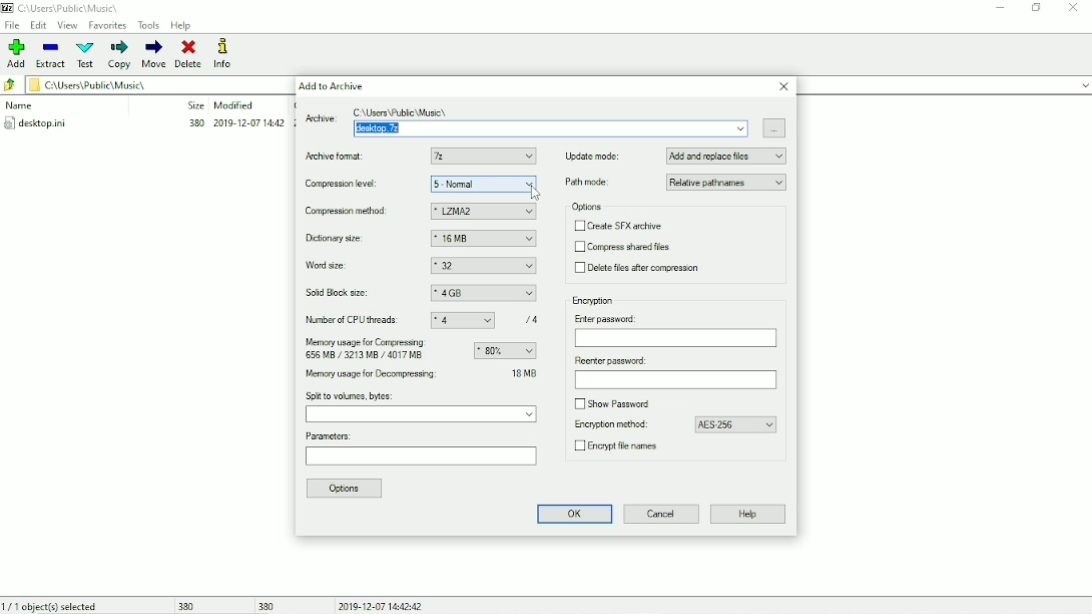 Image resolution: width=1092 pixels, height=614 pixels. What do you see at coordinates (593, 156) in the screenshot?
I see `Update mode` at bounding box center [593, 156].